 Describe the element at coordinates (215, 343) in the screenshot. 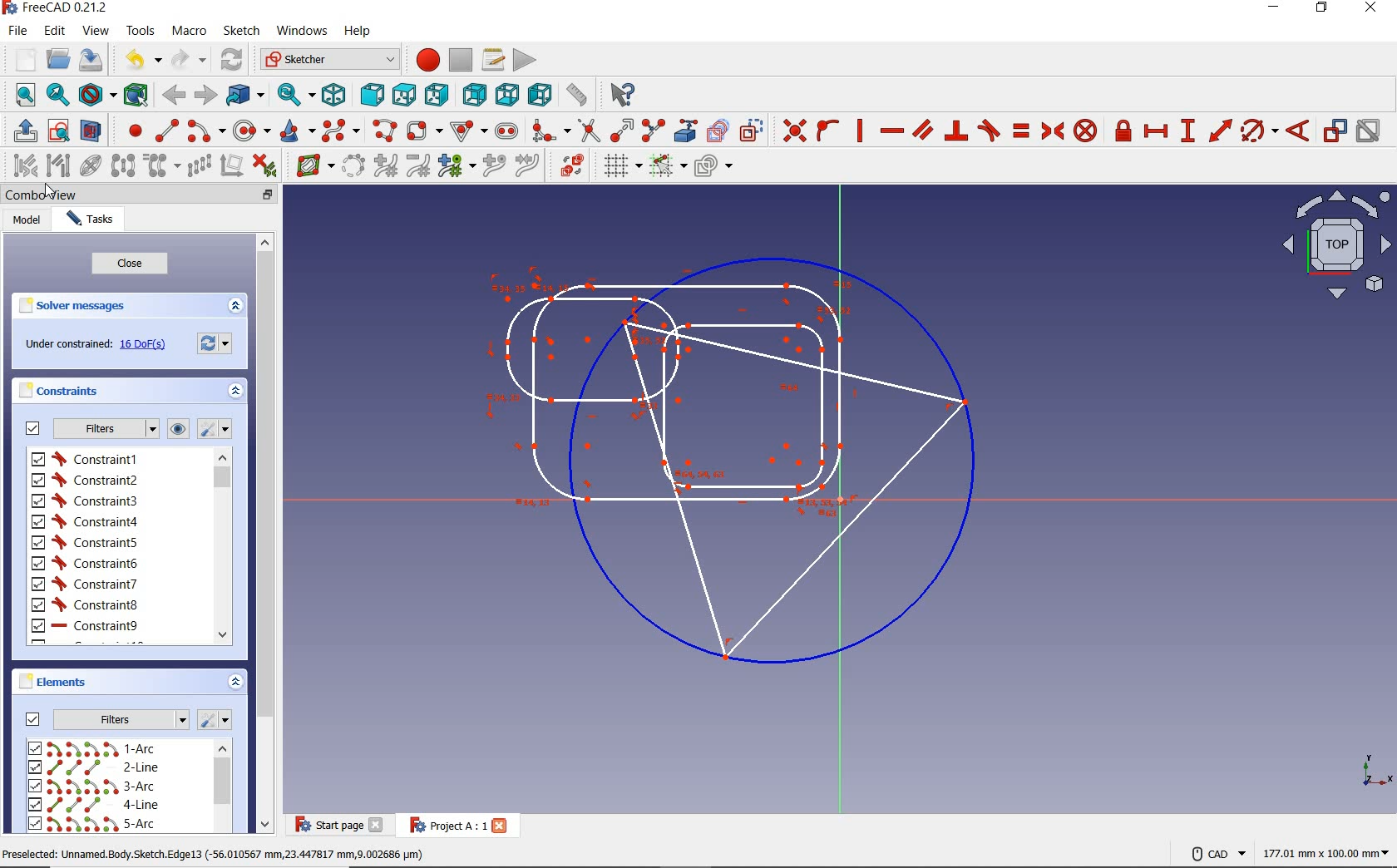

I see `forces recomputation of active document` at that location.